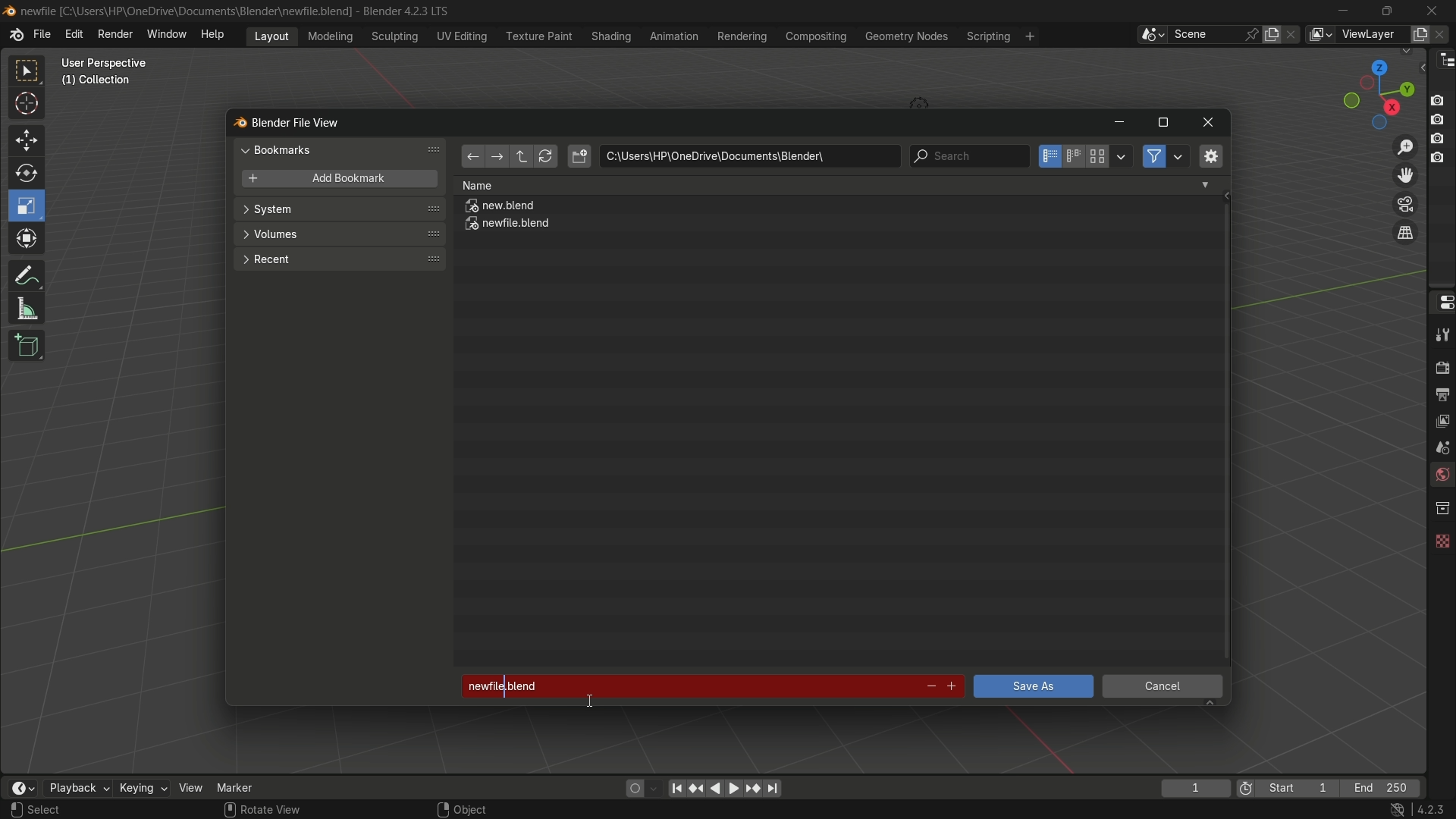 This screenshot has width=1456, height=819. Describe the element at coordinates (472, 158) in the screenshot. I see `back` at that location.